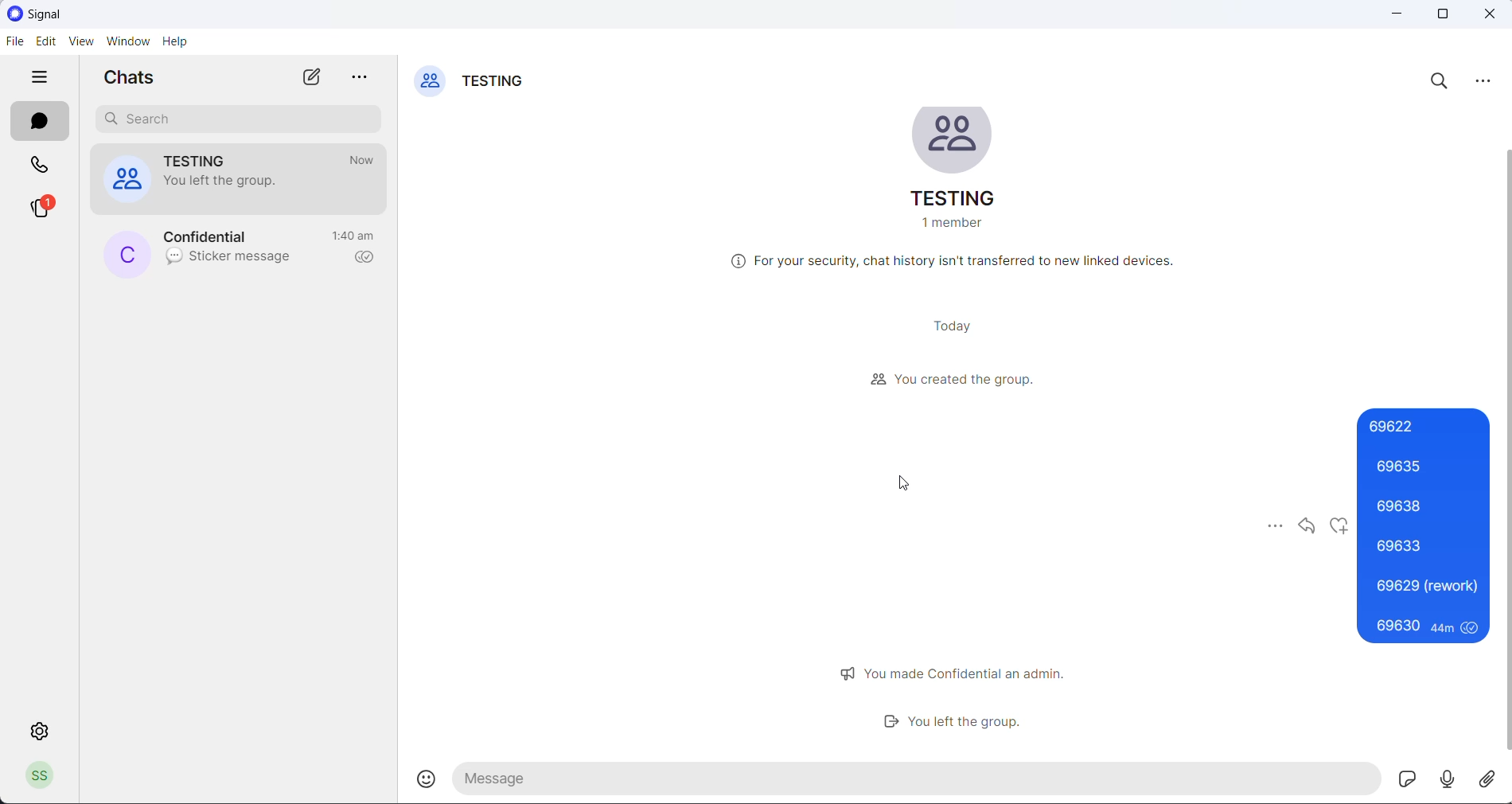 This screenshot has width=1512, height=804. What do you see at coordinates (914, 486) in the screenshot?
I see `cursor` at bounding box center [914, 486].